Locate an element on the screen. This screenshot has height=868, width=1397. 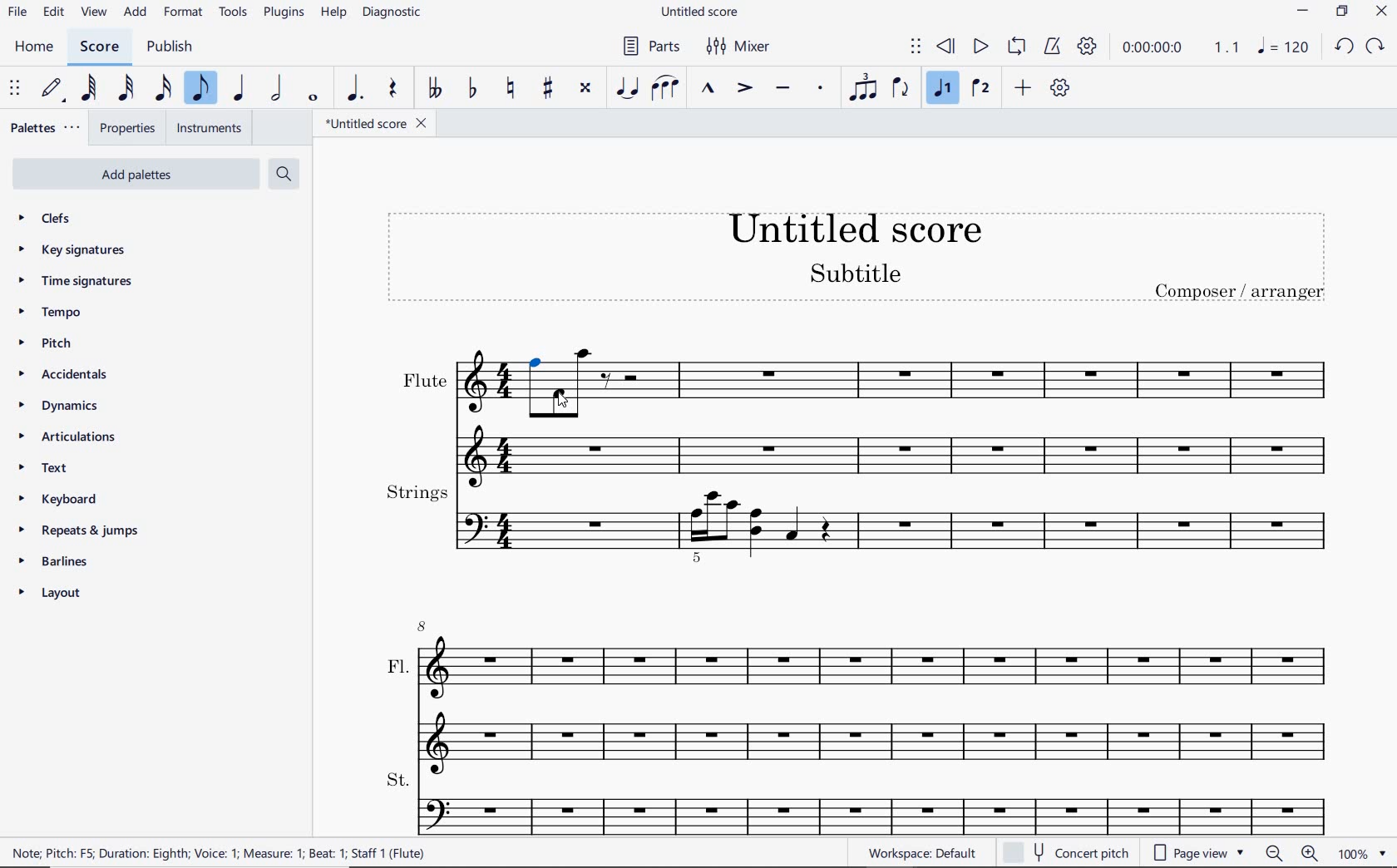
MARCATO is located at coordinates (709, 89).